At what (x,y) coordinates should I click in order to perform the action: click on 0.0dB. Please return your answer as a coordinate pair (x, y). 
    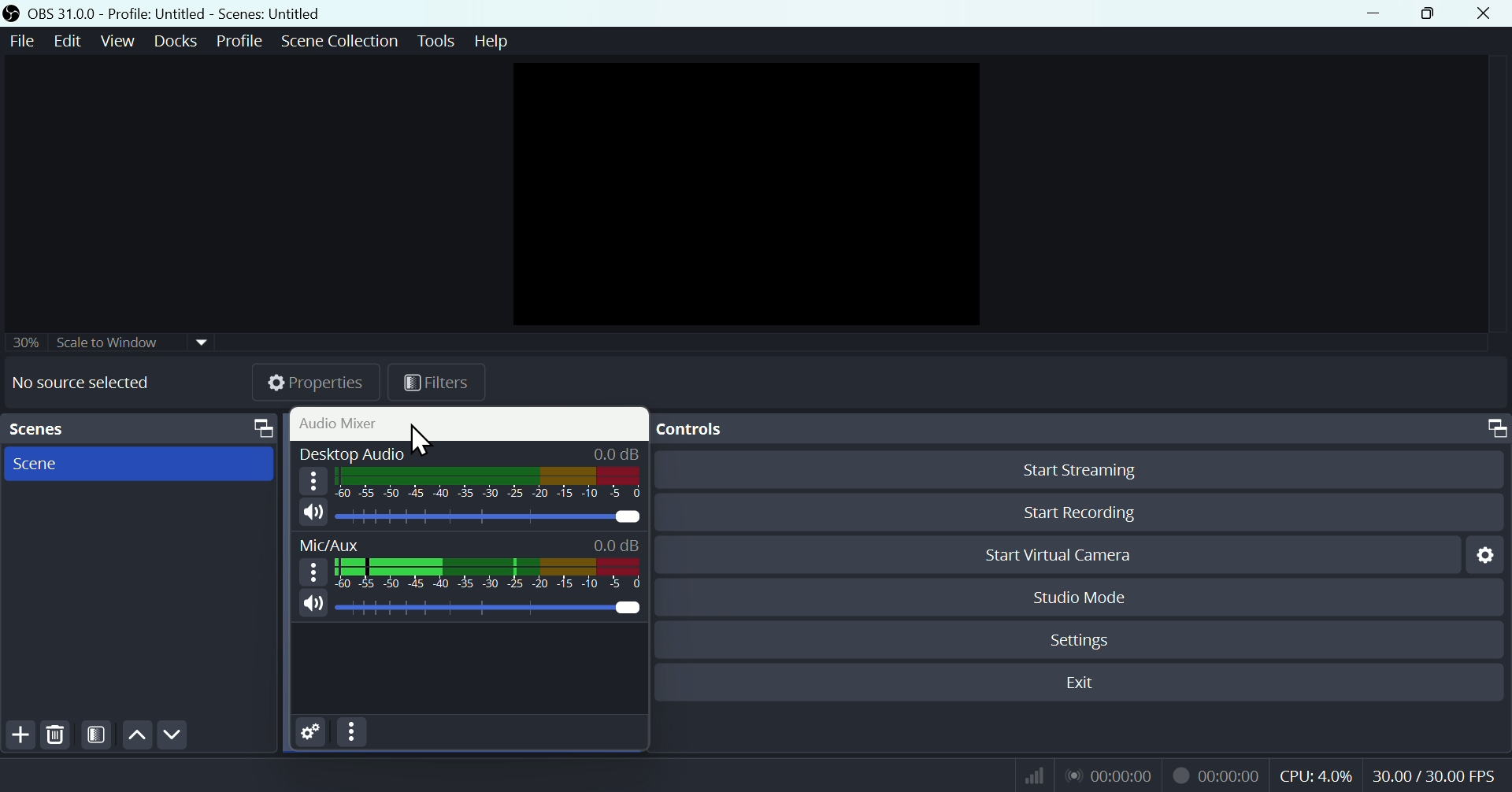
    Looking at the image, I should click on (617, 542).